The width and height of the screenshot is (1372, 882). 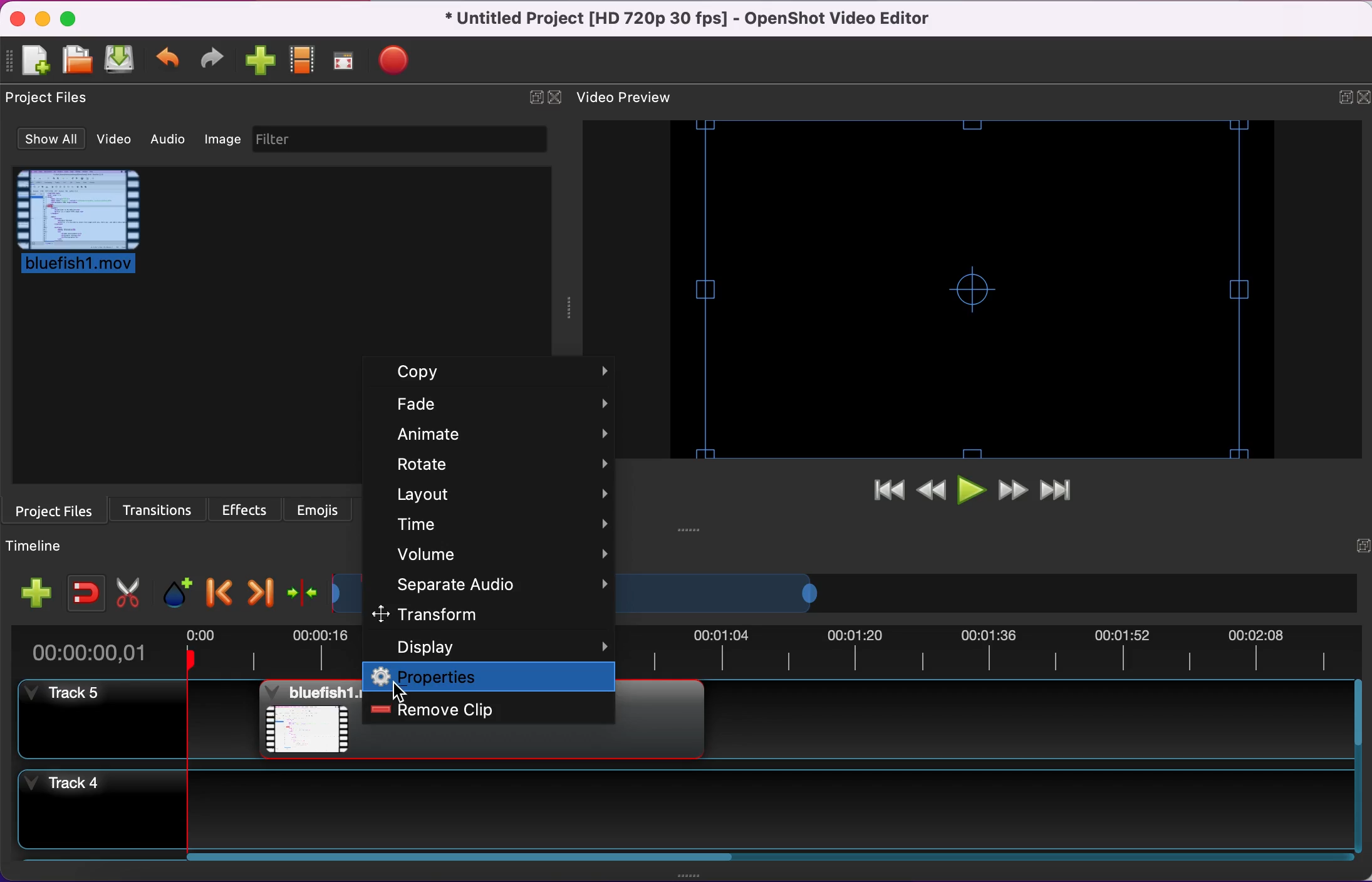 I want to click on properties, so click(x=491, y=677).